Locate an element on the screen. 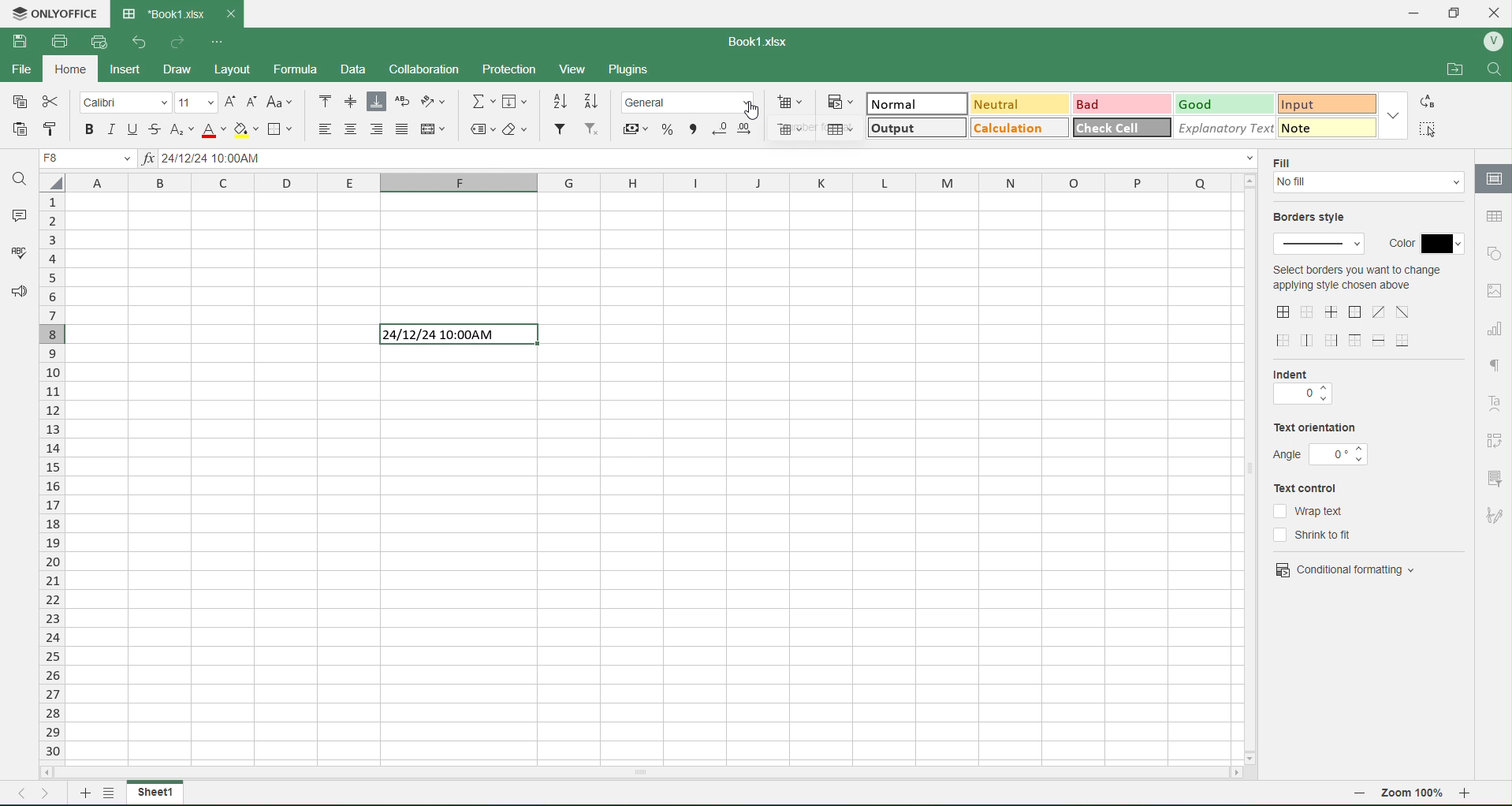 This screenshot has width=1512, height=806. Cut is located at coordinates (53, 103).